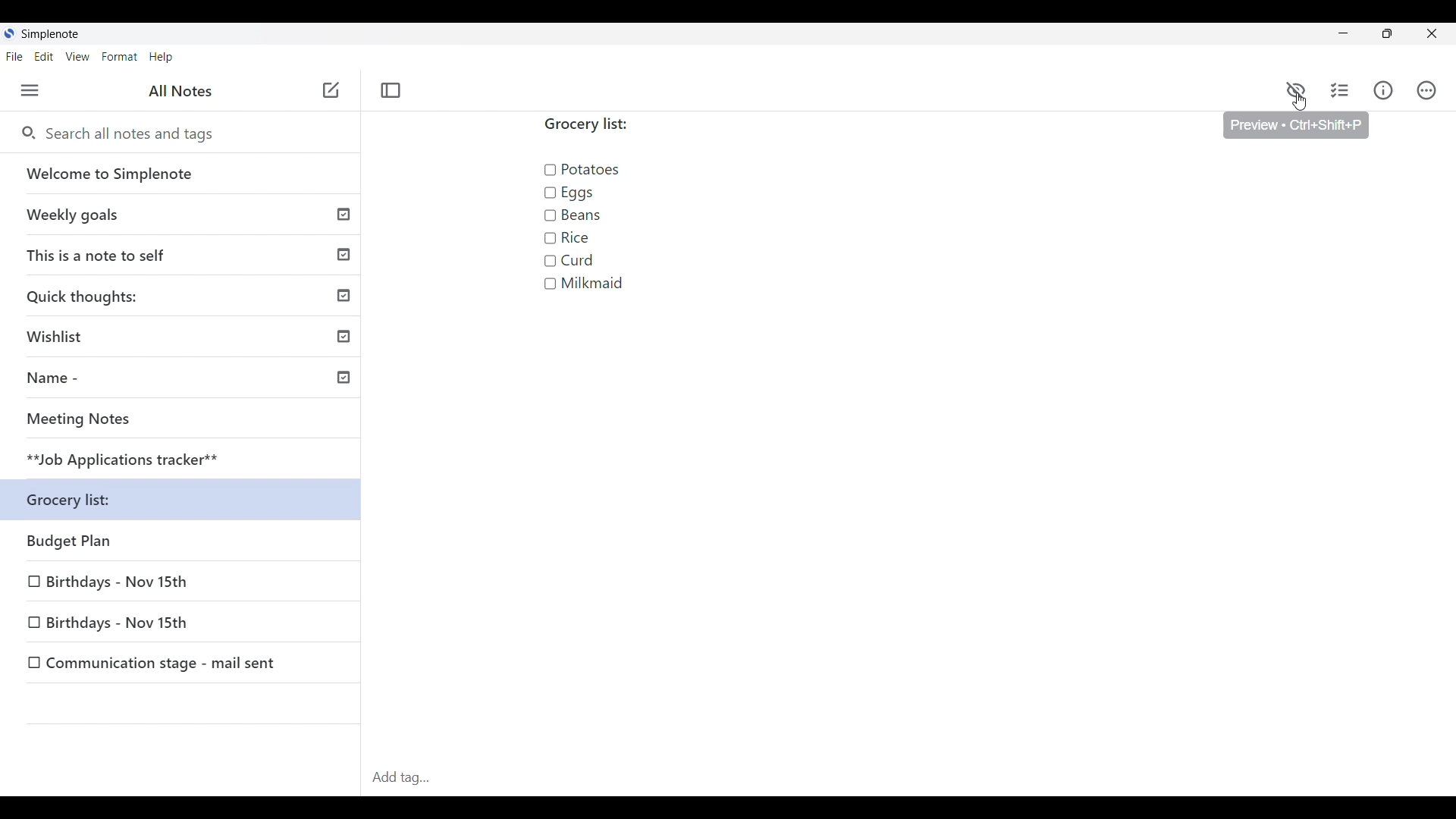 The height and width of the screenshot is (819, 1456). I want to click on Insert checklist, so click(1341, 90).